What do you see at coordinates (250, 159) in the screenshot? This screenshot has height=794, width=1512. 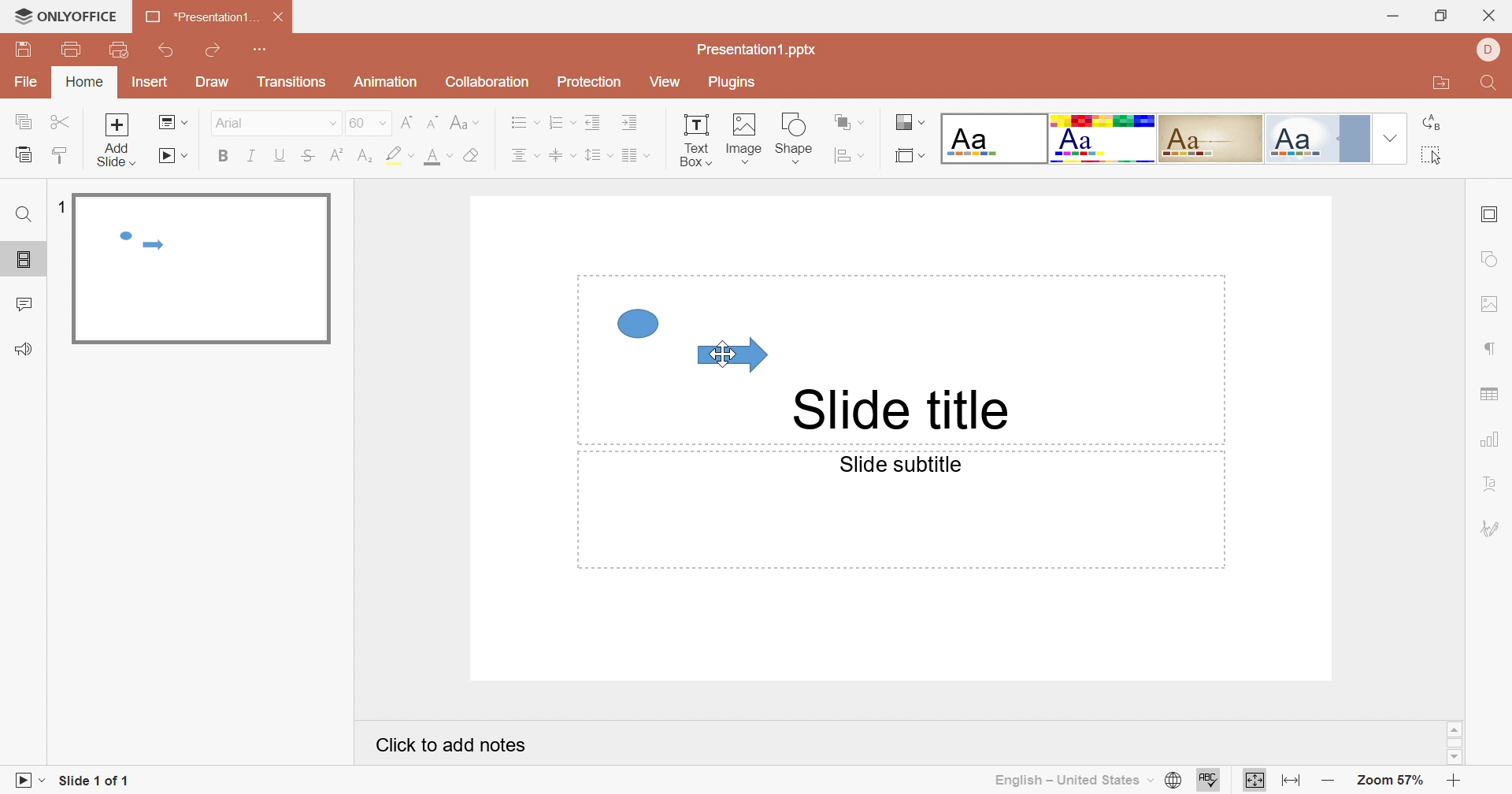 I see `Italic` at bounding box center [250, 159].